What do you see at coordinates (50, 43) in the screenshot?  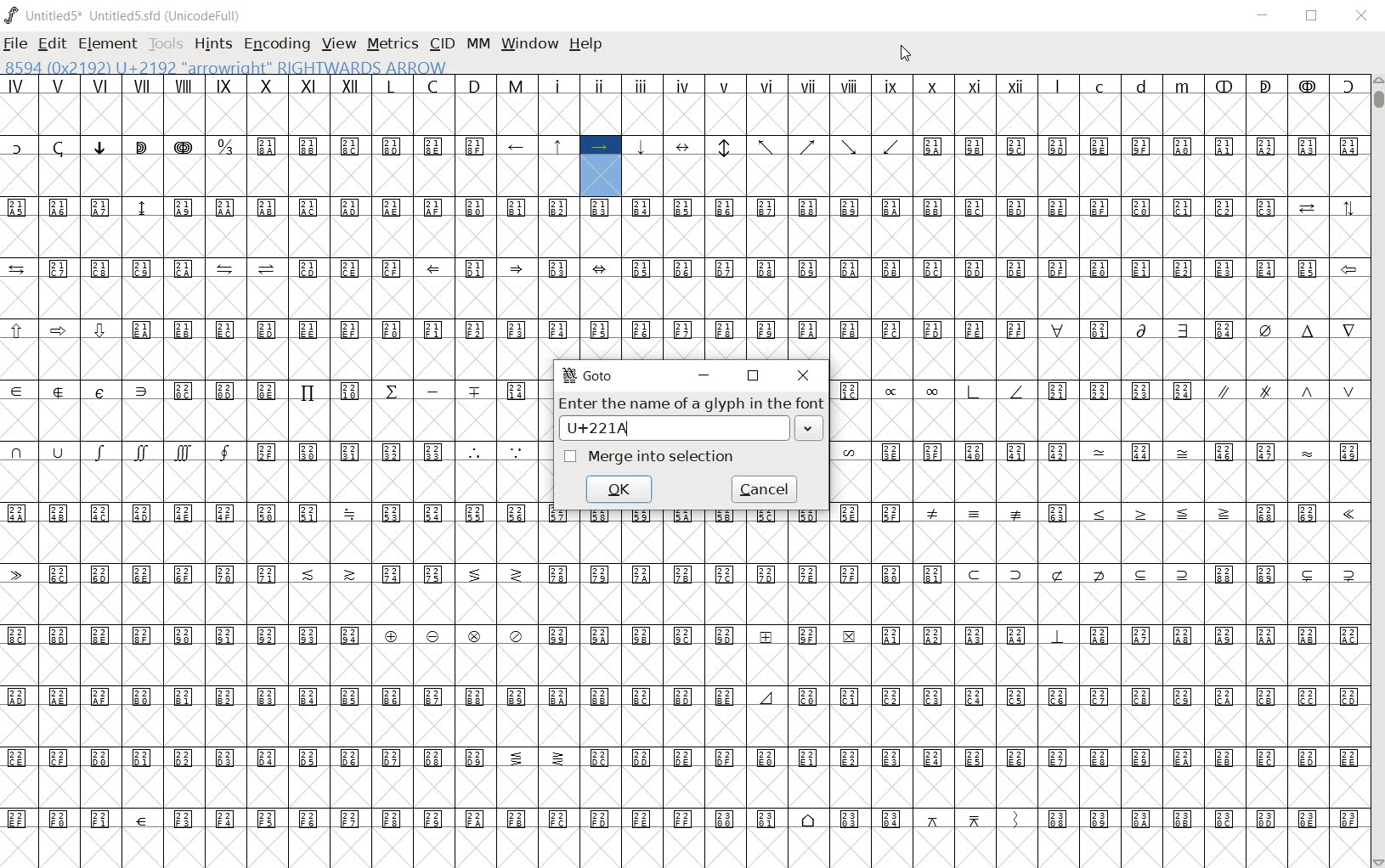 I see `EDIT` at bounding box center [50, 43].